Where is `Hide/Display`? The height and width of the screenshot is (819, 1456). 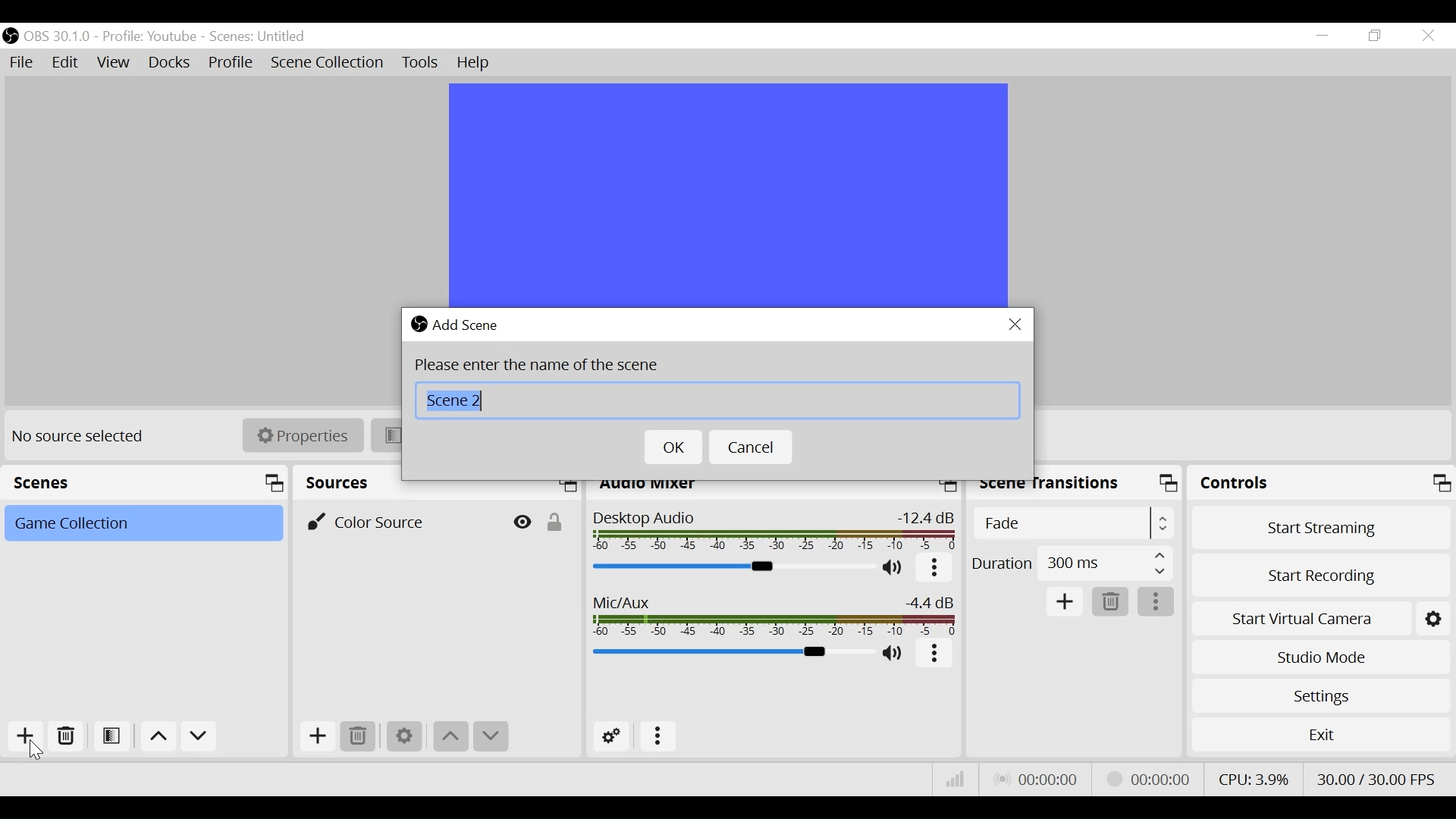
Hide/Display is located at coordinates (522, 522).